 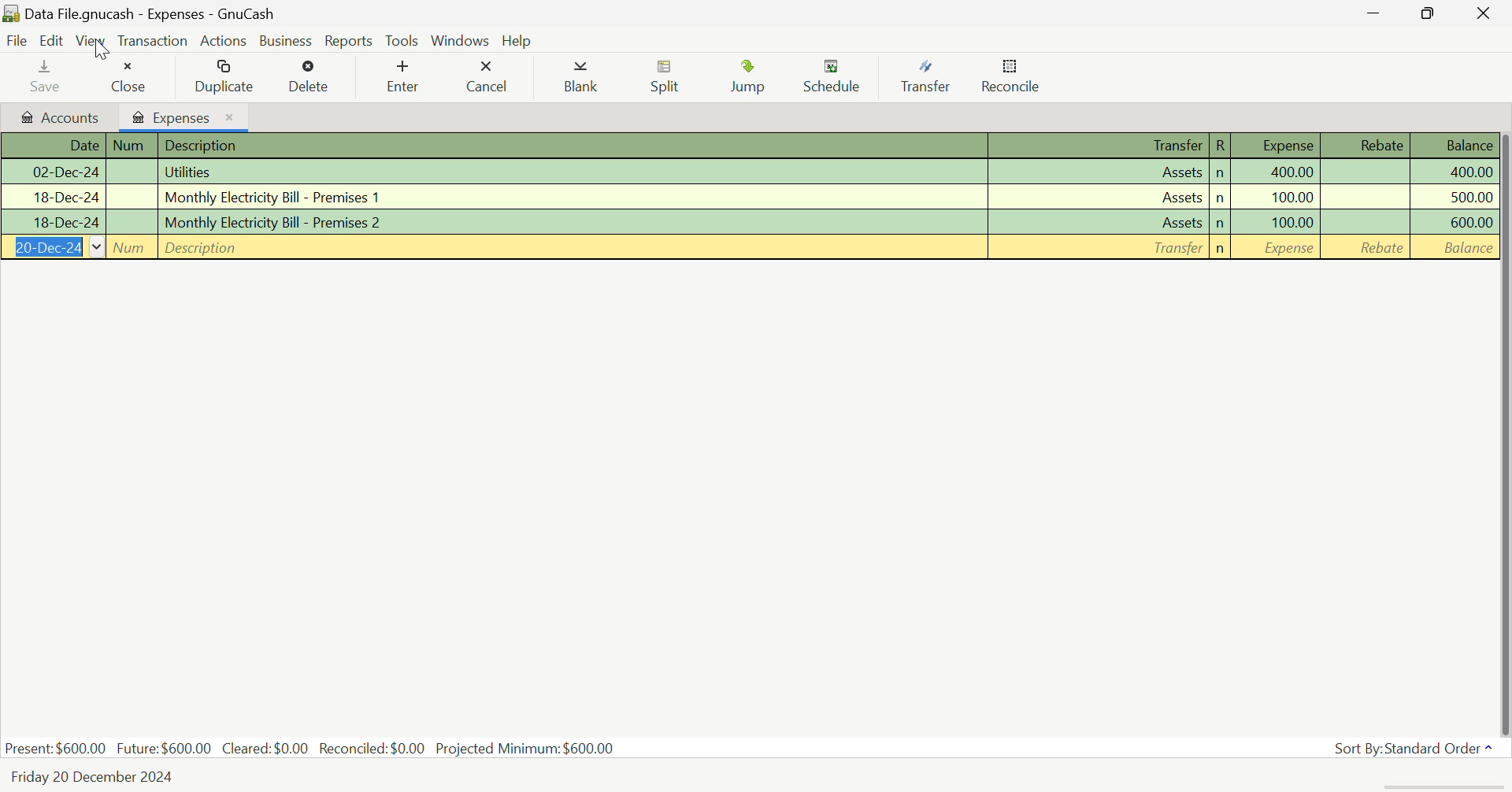 I want to click on Amount, so click(x=1291, y=171).